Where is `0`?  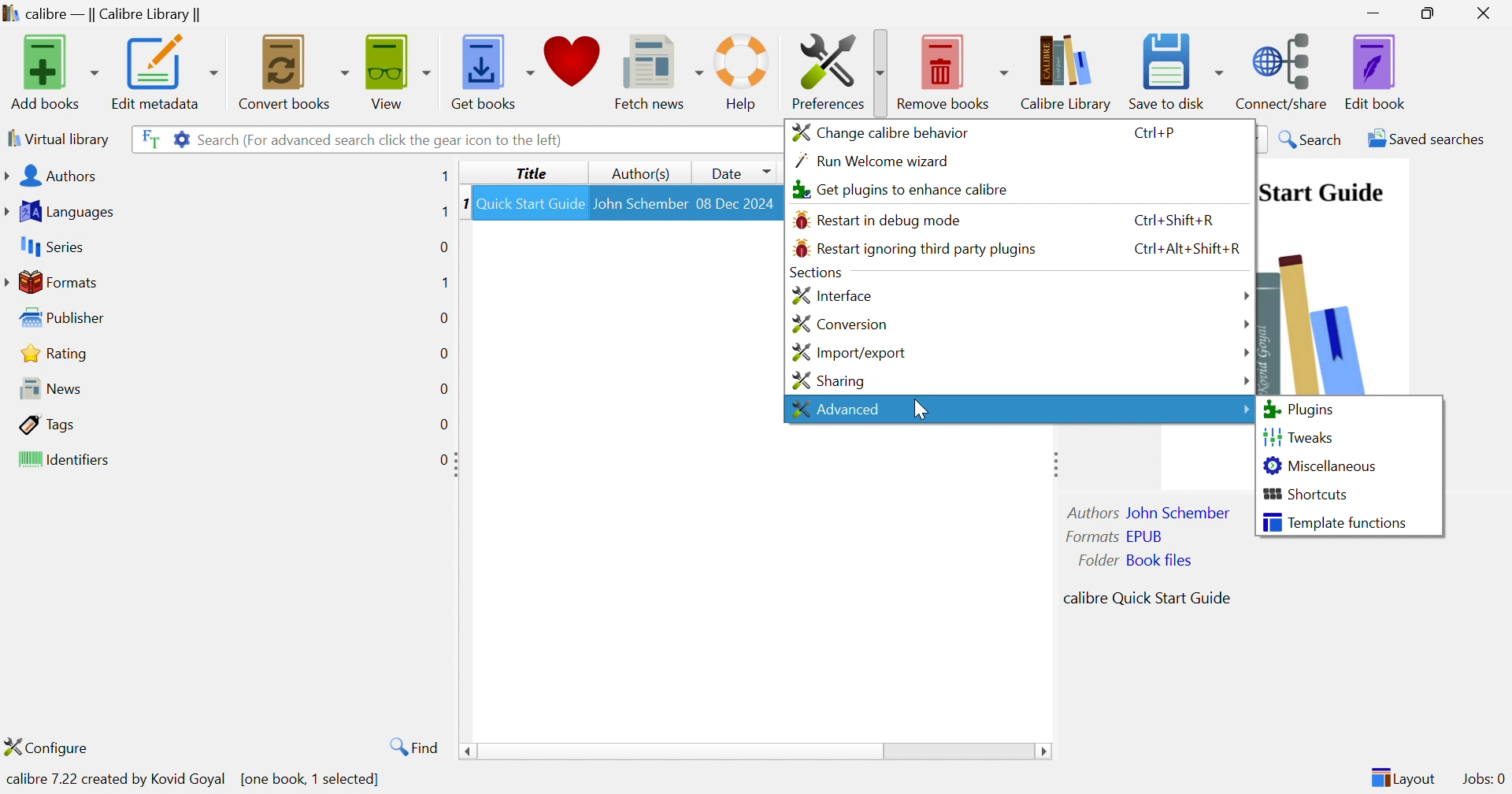 0 is located at coordinates (443, 354).